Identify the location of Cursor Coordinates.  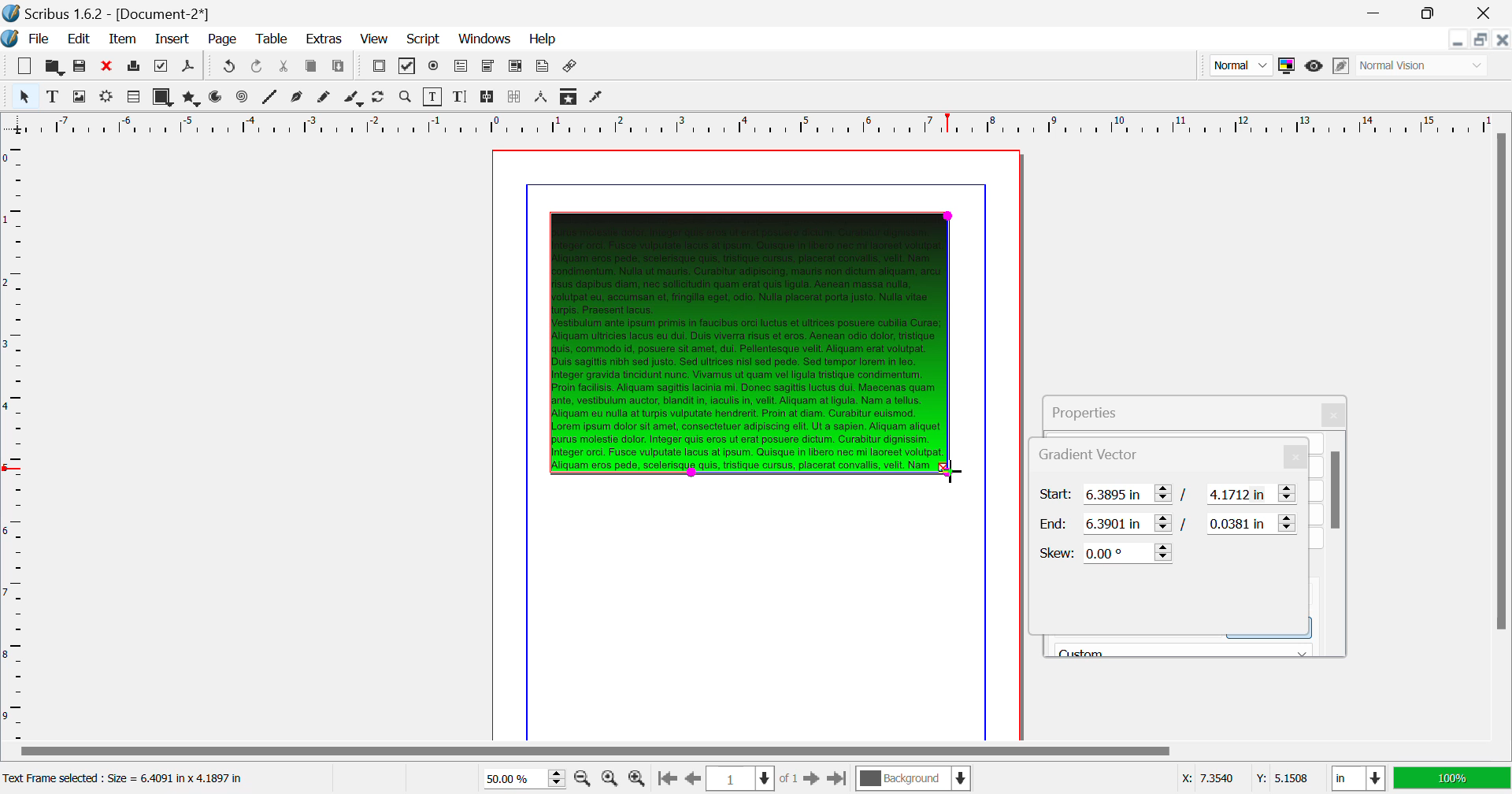
(1244, 779).